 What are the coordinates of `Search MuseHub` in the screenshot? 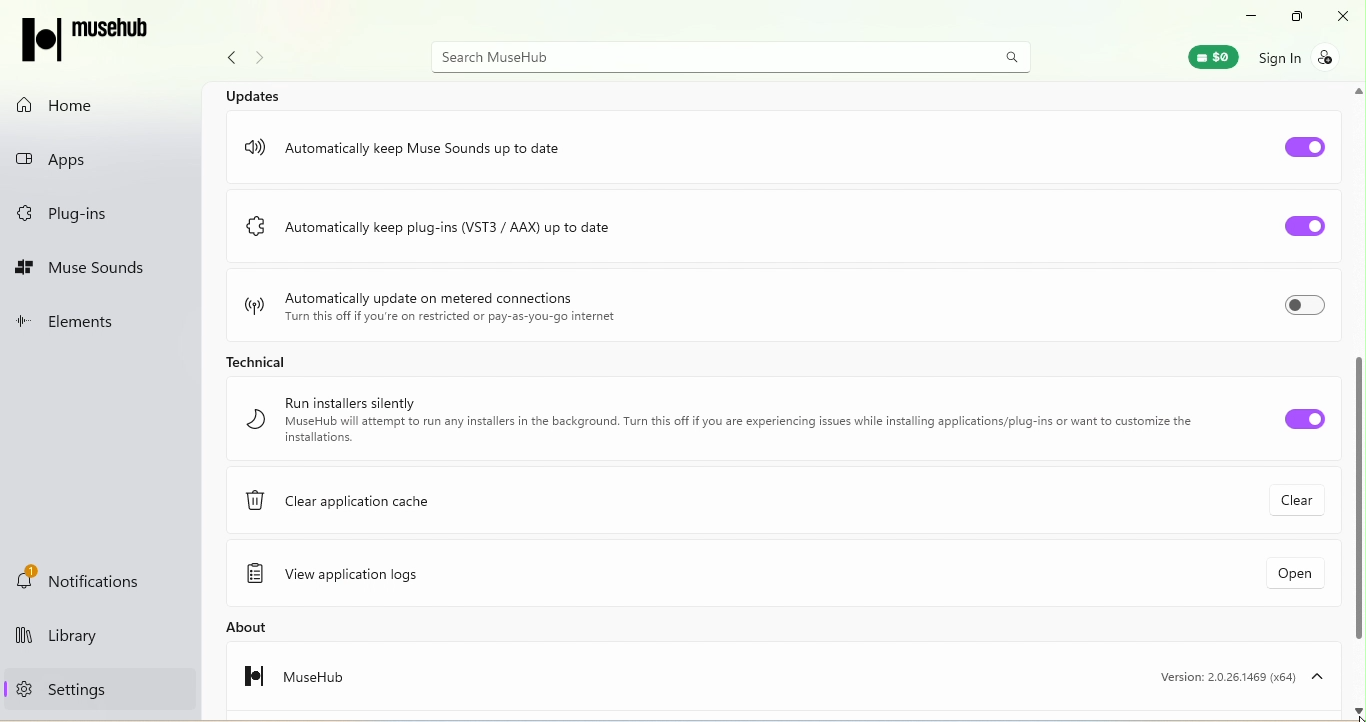 It's located at (734, 56).